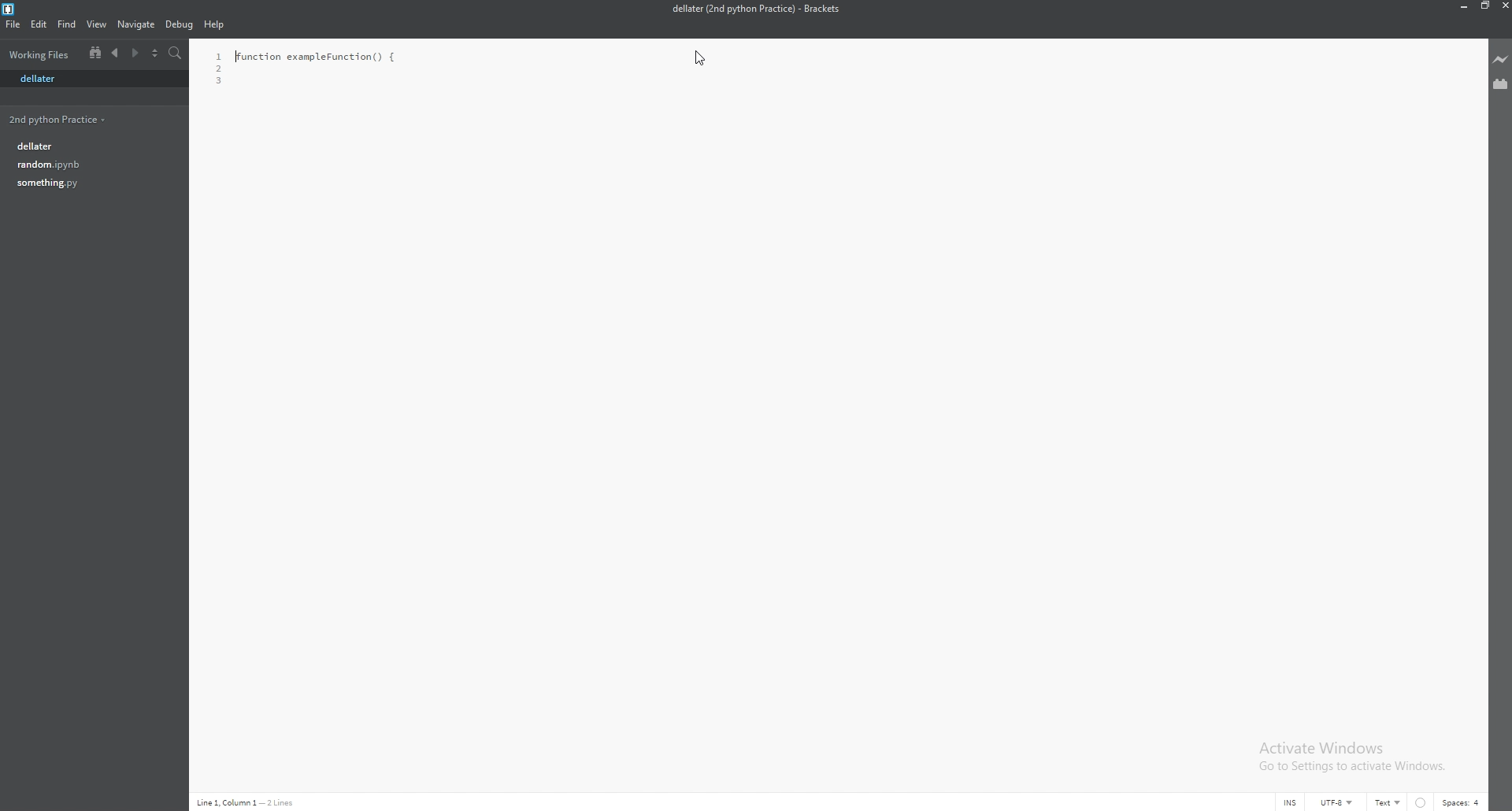 Image resolution: width=1512 pixels, height=811 pixels. I want to click on close, so click(1505, 6).